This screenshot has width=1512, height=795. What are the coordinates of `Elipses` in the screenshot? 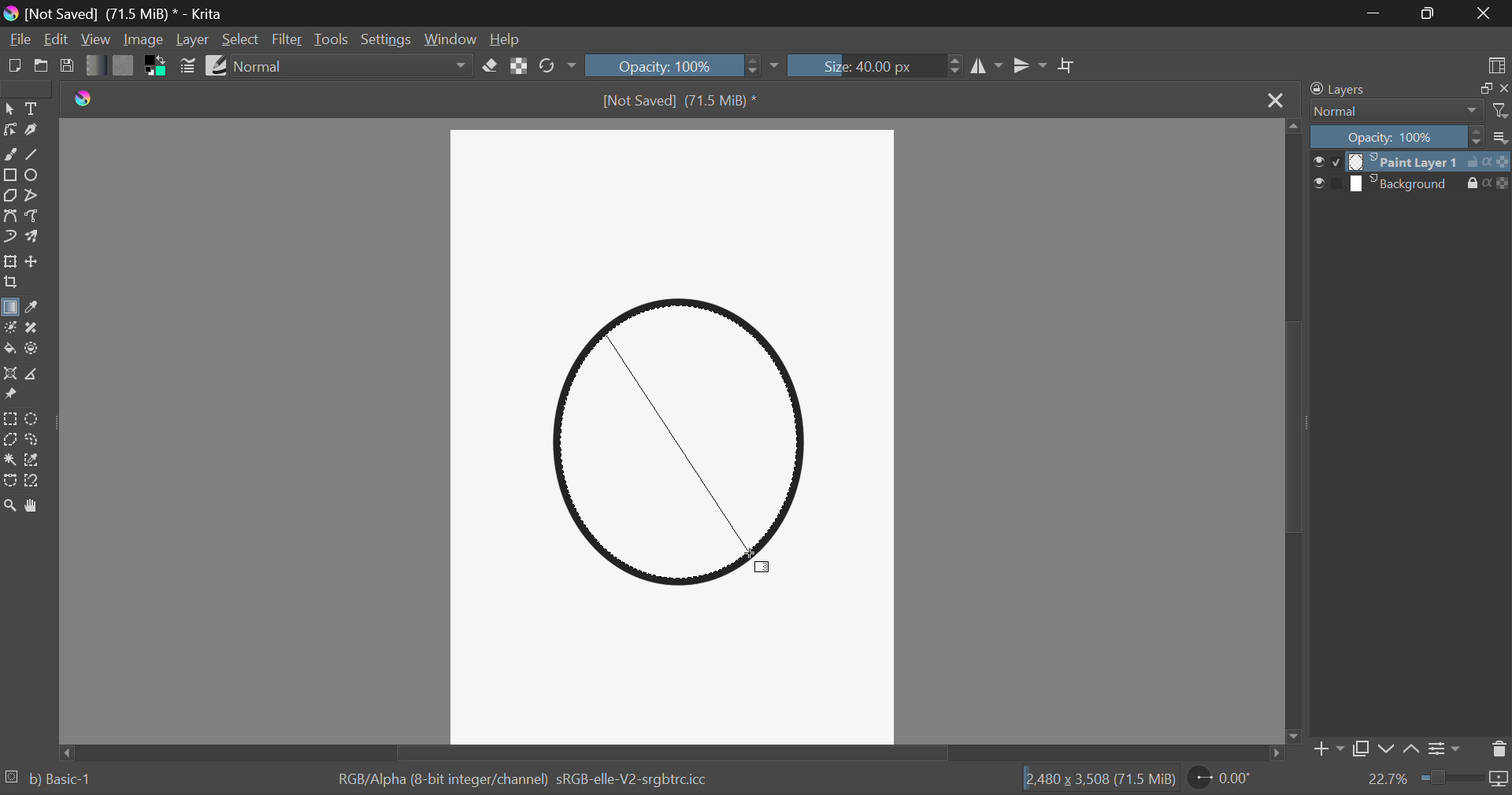 It's located at (36, 176).